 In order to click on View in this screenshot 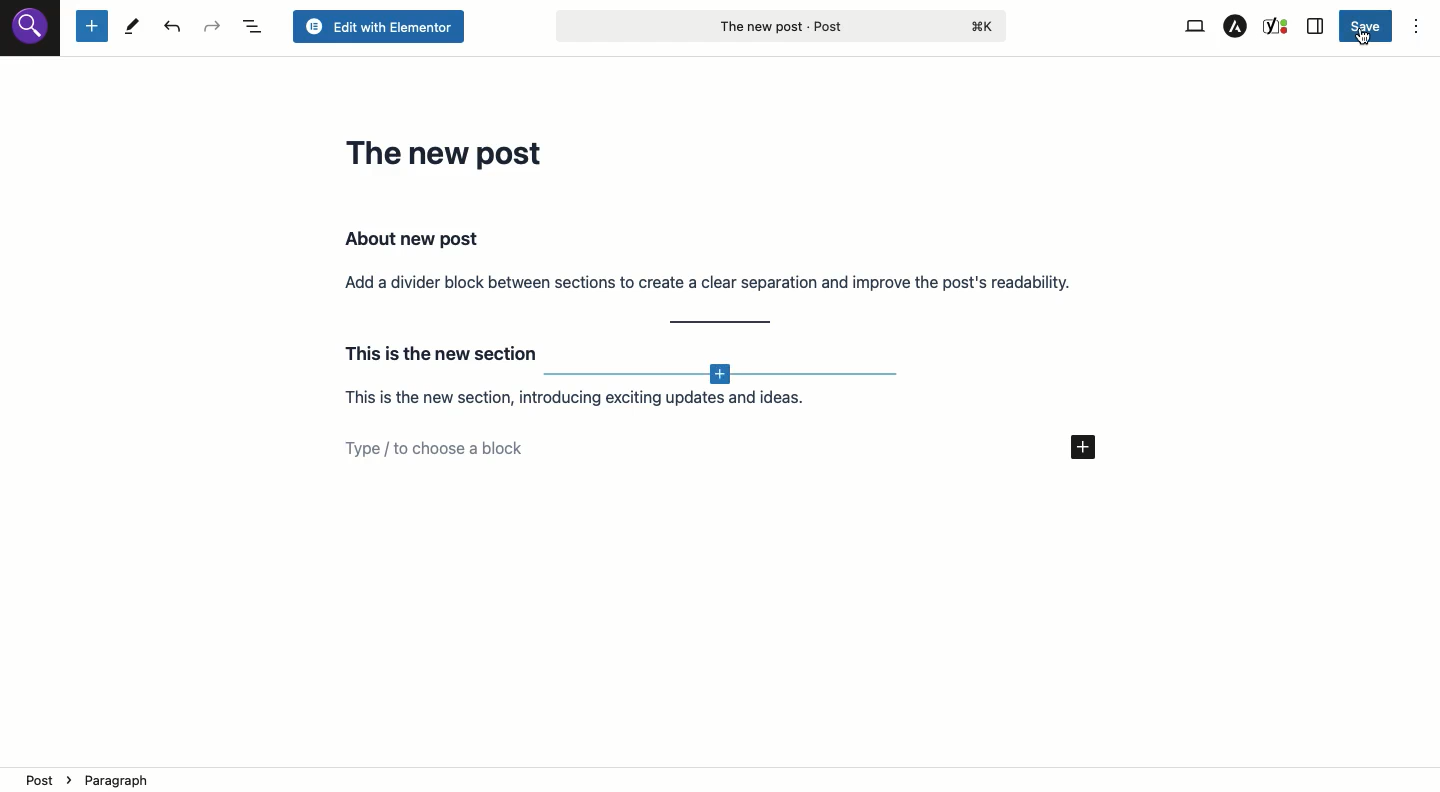, I will do `click(1193, 27)`.